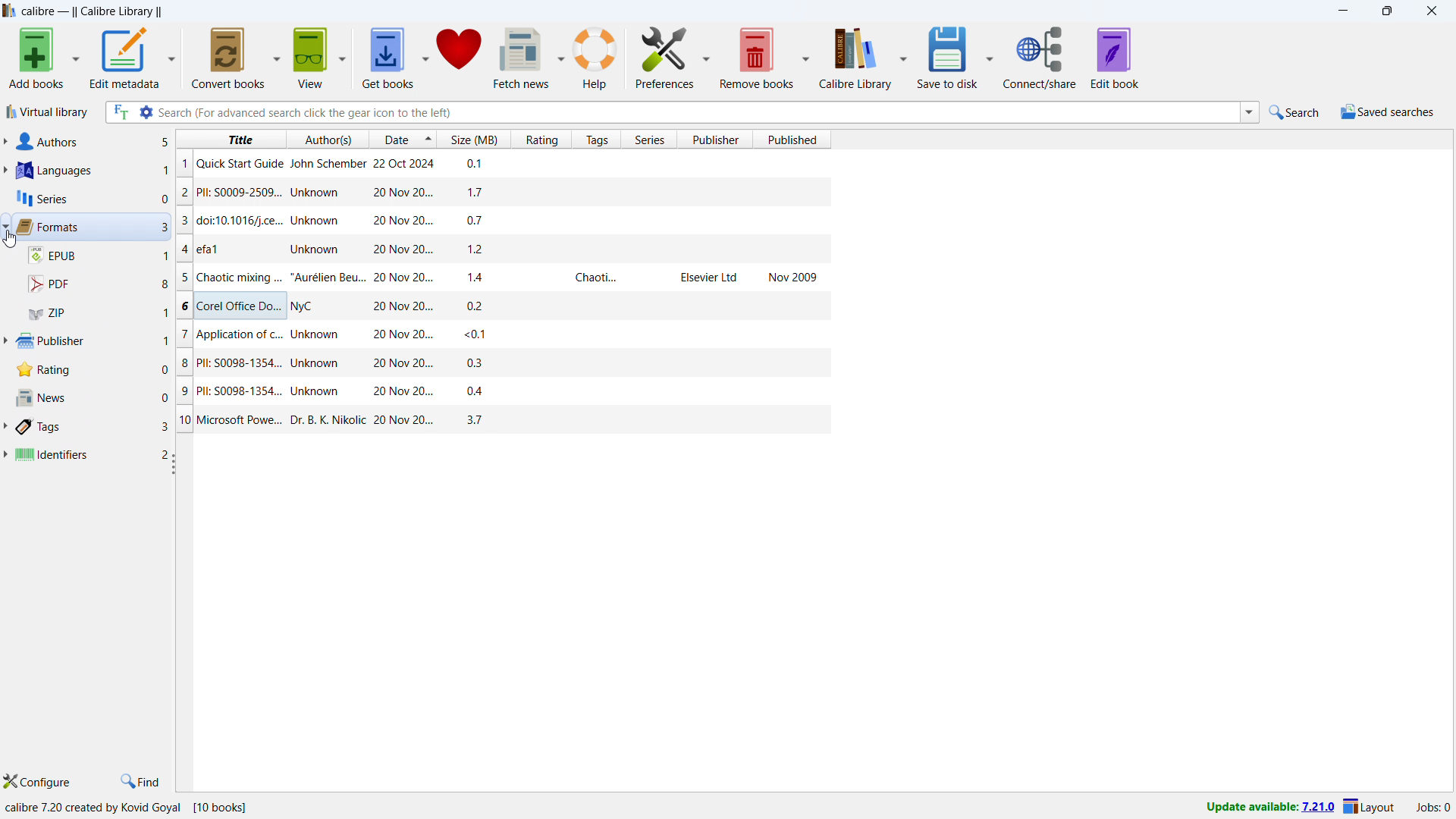 The height and width of the screenshot is (819, 1456). What do you see at coordinates (1432, 10) in the screenshot?
I see `close` at bounding box center [1432, 10].